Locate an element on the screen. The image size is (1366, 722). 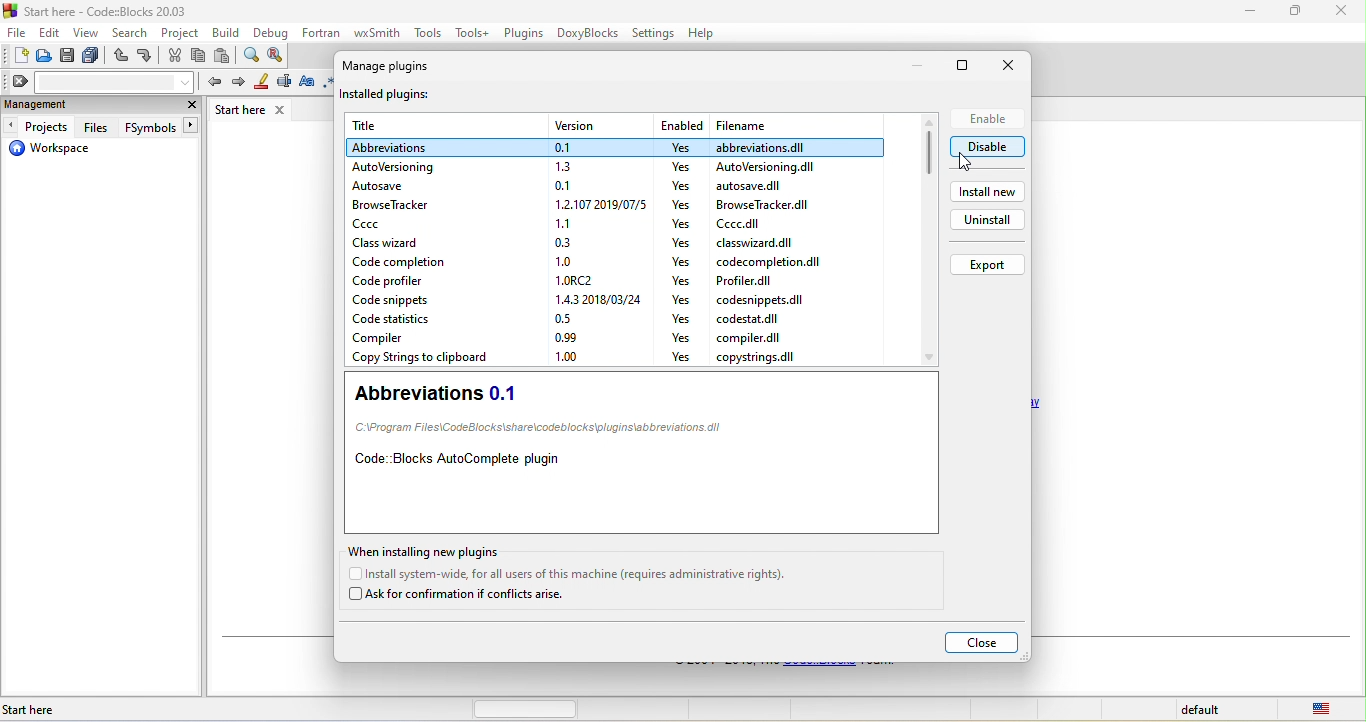
workspace  is located at coordinates (58, 152).